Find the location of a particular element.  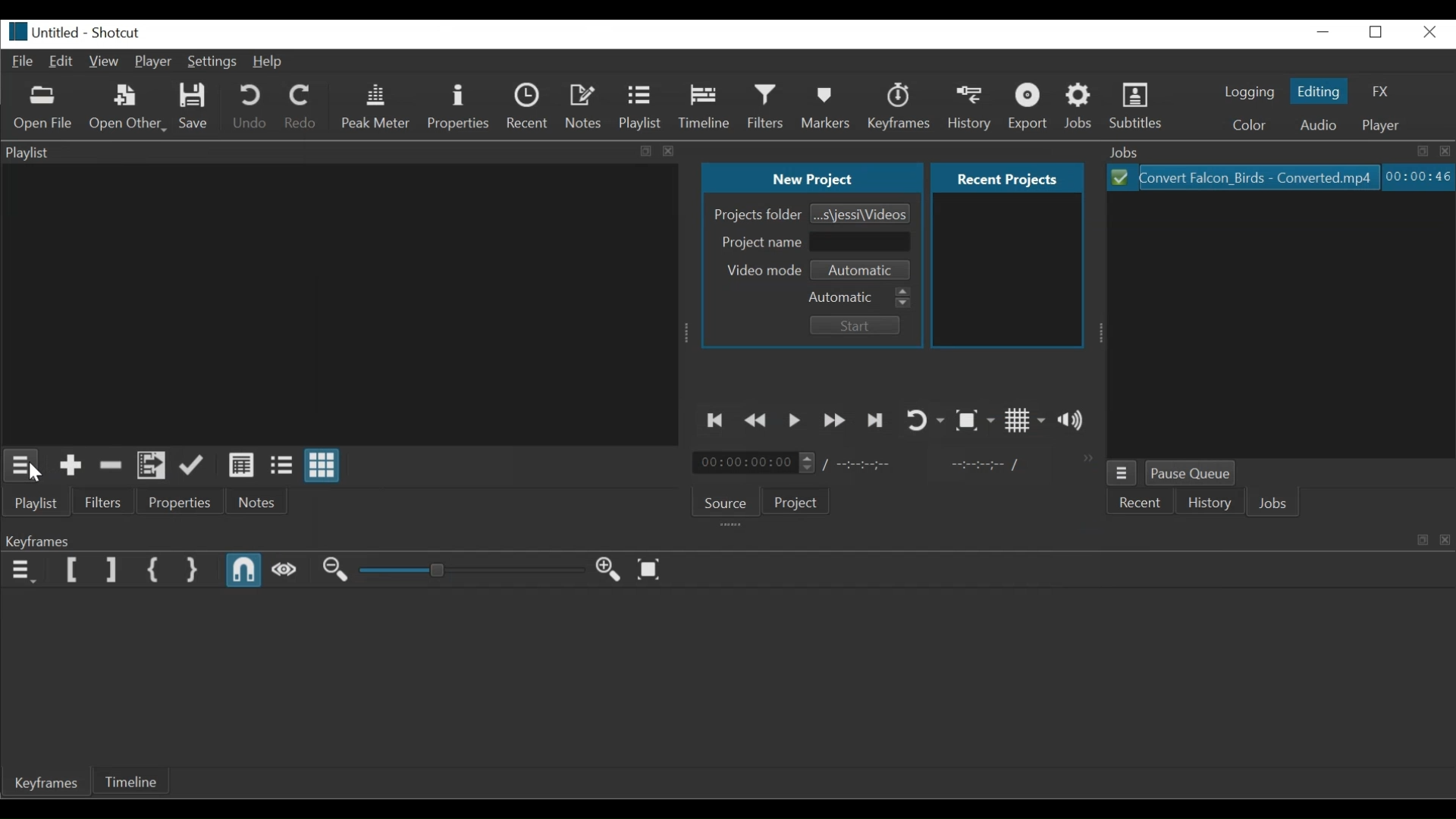

Save is located at coordinates (194, 107).